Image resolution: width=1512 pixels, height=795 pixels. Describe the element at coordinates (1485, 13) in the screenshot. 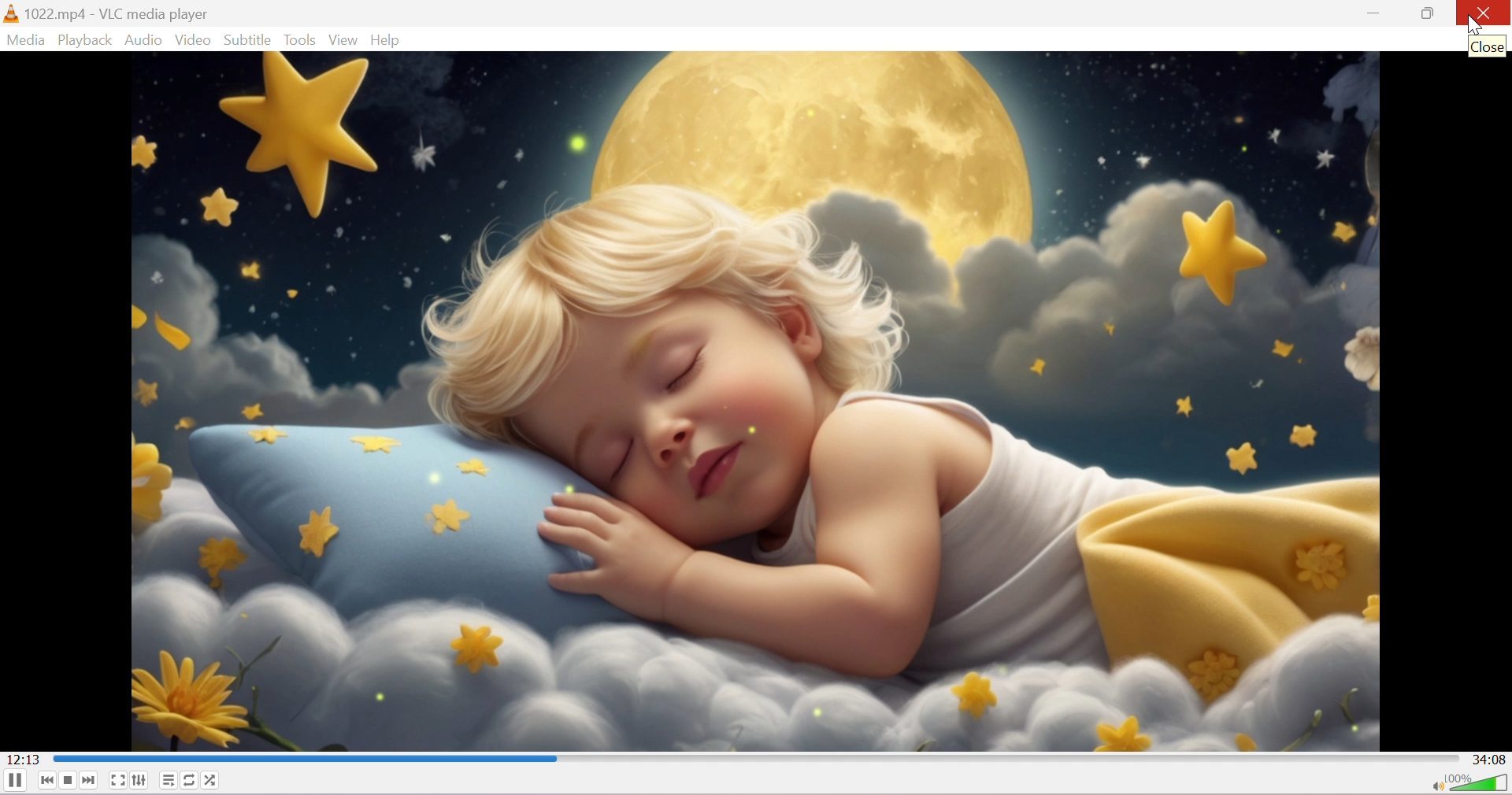

I see `Close` at that location.